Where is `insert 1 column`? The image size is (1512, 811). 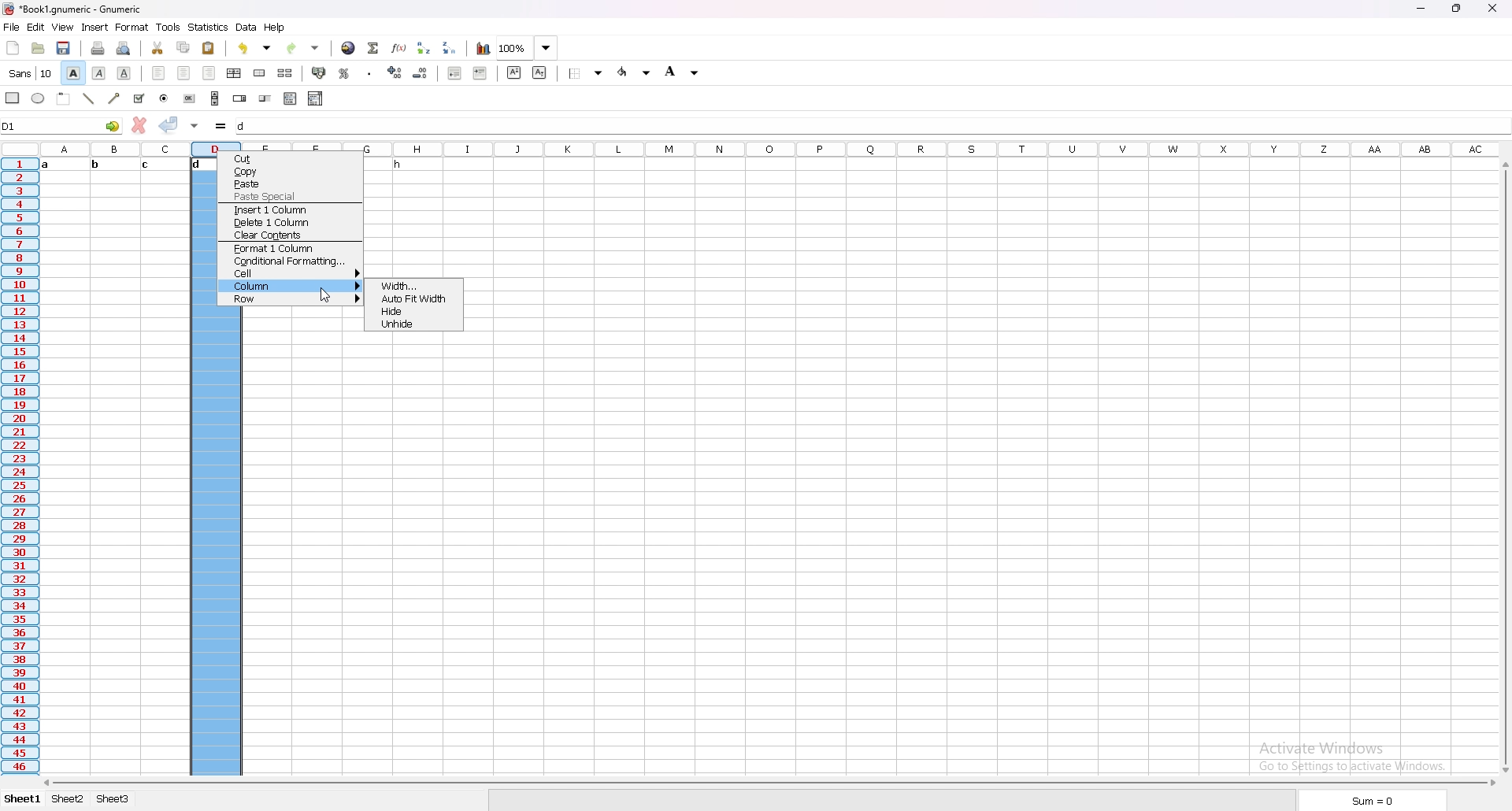 insert 1 column is located at coordinates (291, 209).